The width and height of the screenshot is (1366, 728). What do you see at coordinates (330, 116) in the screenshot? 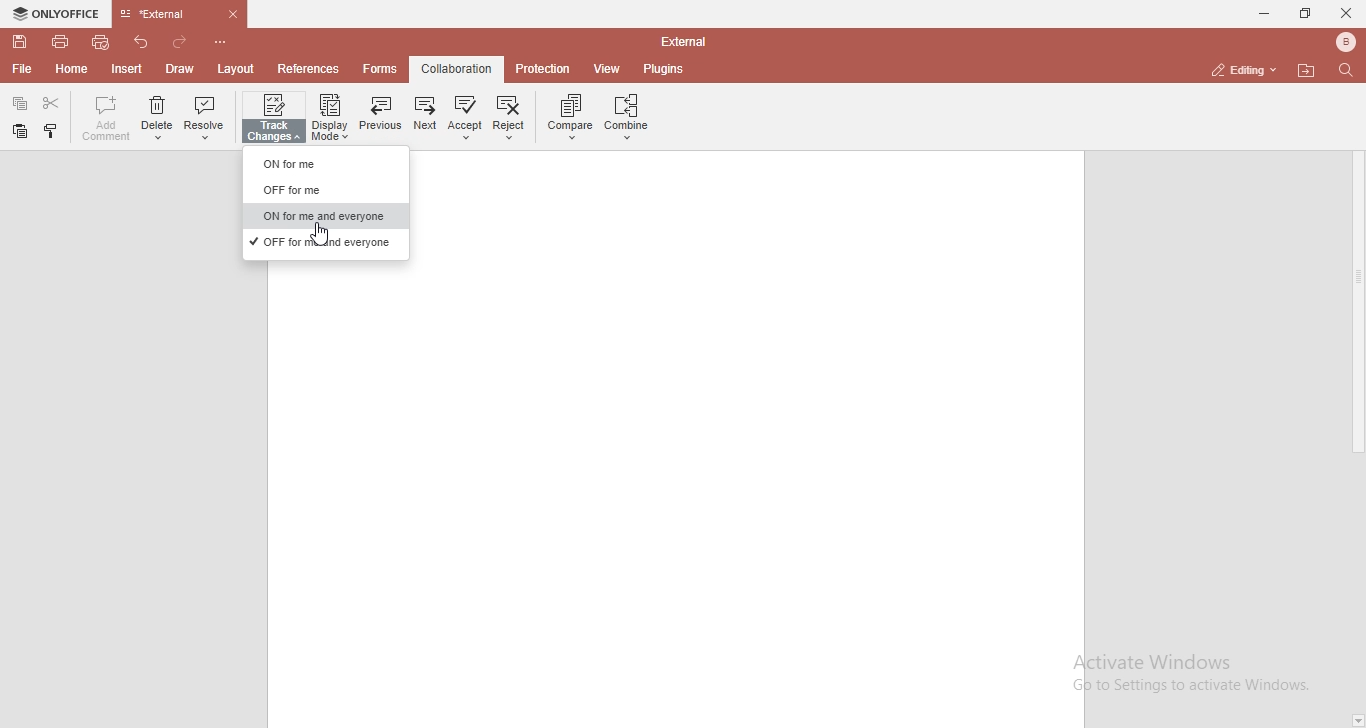
I see `display mode` at bounding box center [330, 116].